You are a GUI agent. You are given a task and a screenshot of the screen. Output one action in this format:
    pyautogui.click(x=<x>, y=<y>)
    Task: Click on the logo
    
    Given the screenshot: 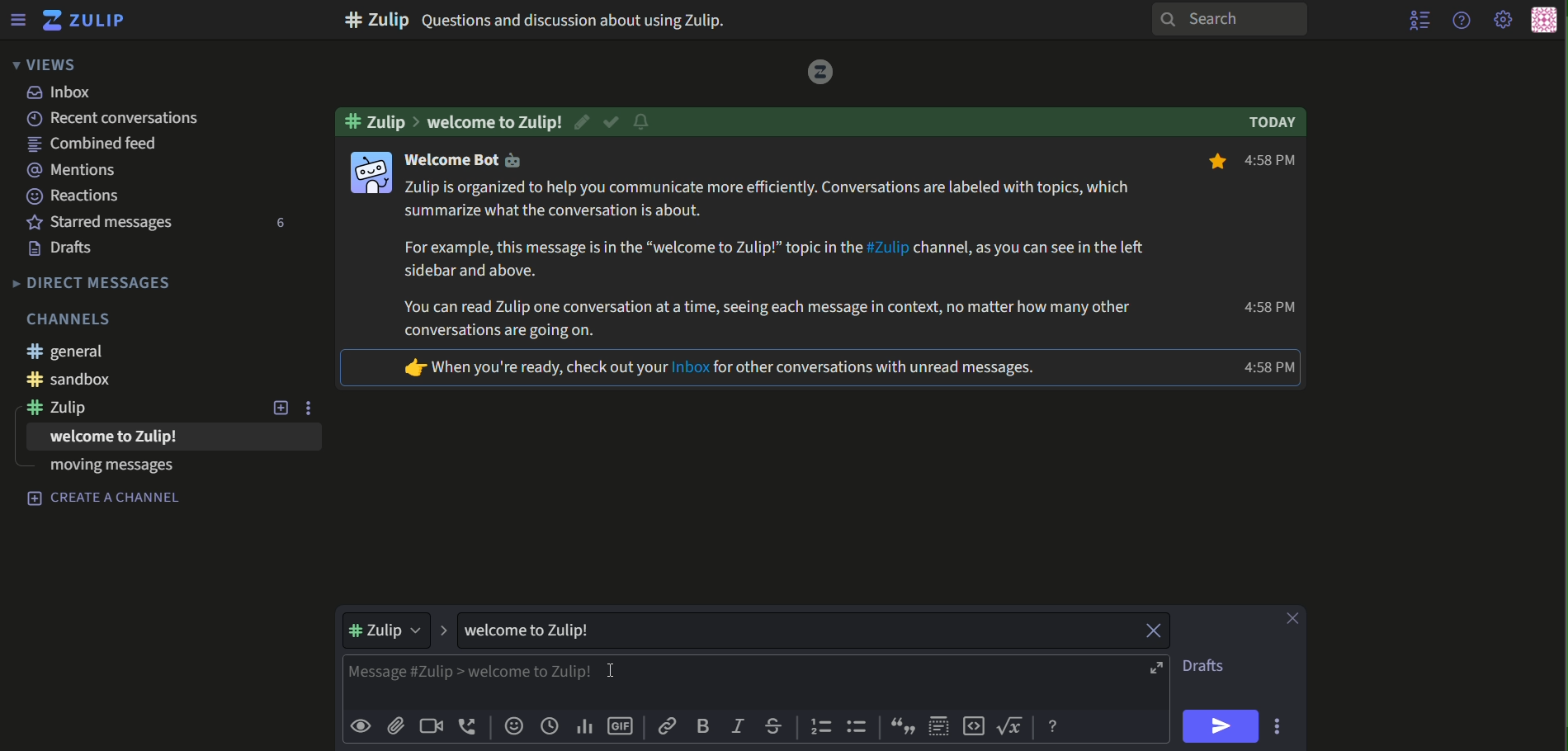 What is the action you would take?
    pyautogui.click(x=816, y=73)
    